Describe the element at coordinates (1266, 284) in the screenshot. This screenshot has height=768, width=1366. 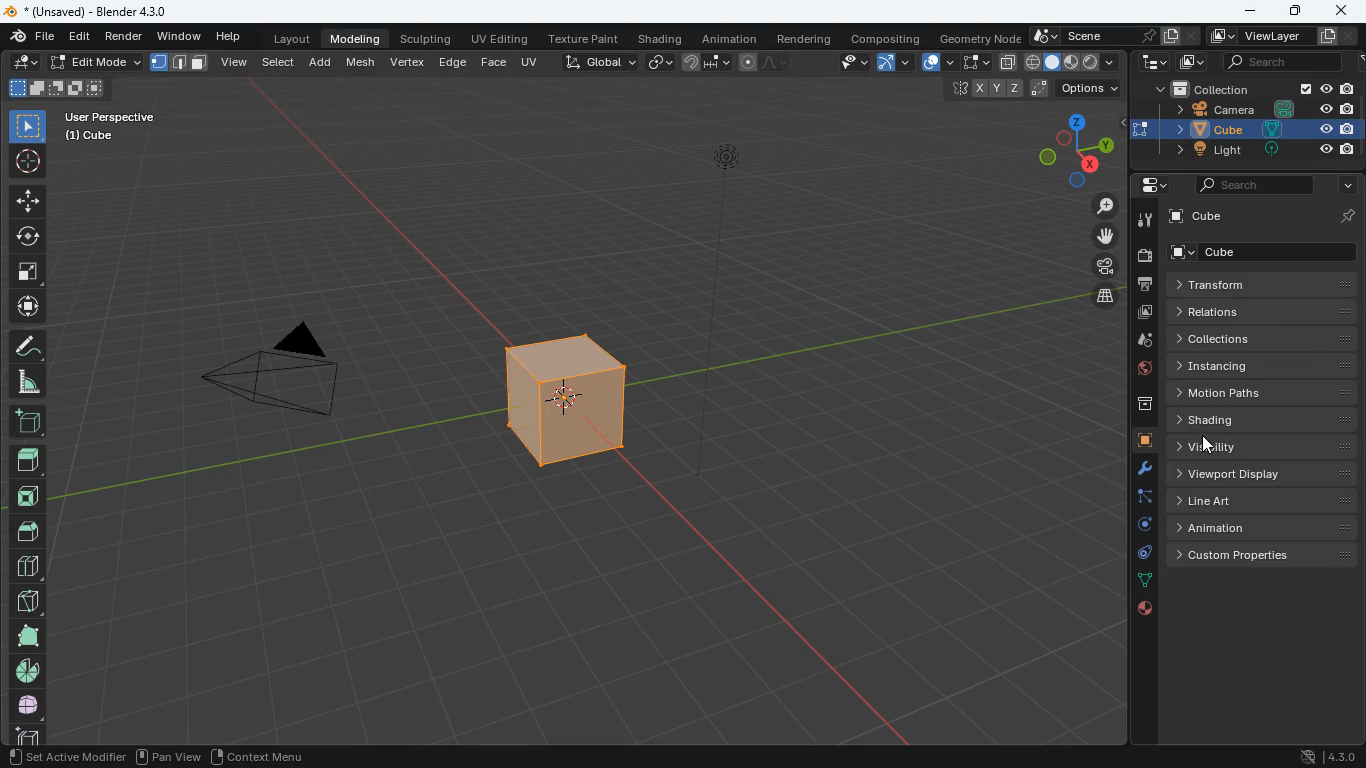
I see `transform` at that location.